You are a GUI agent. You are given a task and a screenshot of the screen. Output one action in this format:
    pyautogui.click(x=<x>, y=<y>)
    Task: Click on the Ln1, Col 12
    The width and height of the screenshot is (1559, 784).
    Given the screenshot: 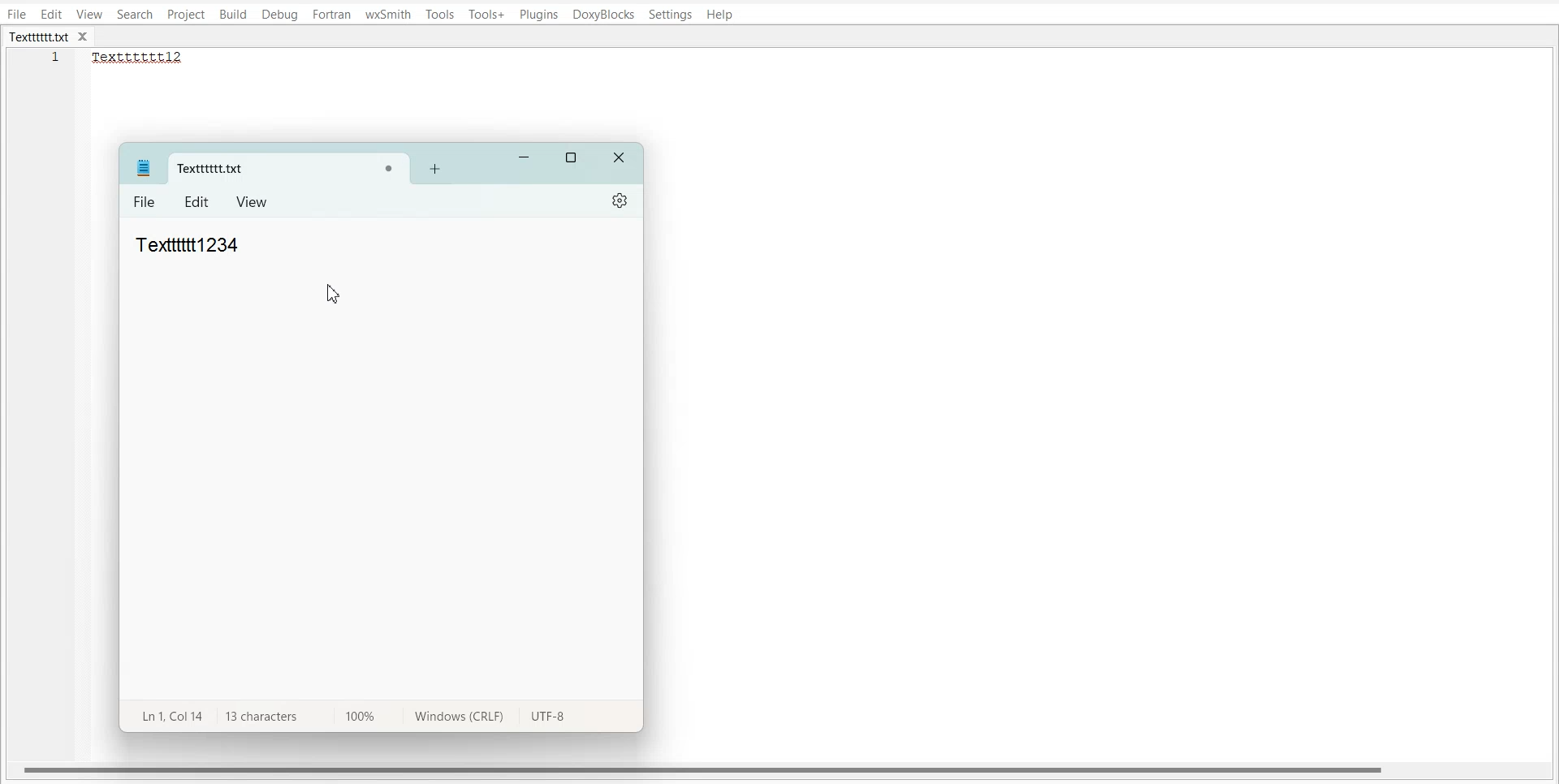 What is the action you would take?
    pyautogui.click(x=168, y=715)
    